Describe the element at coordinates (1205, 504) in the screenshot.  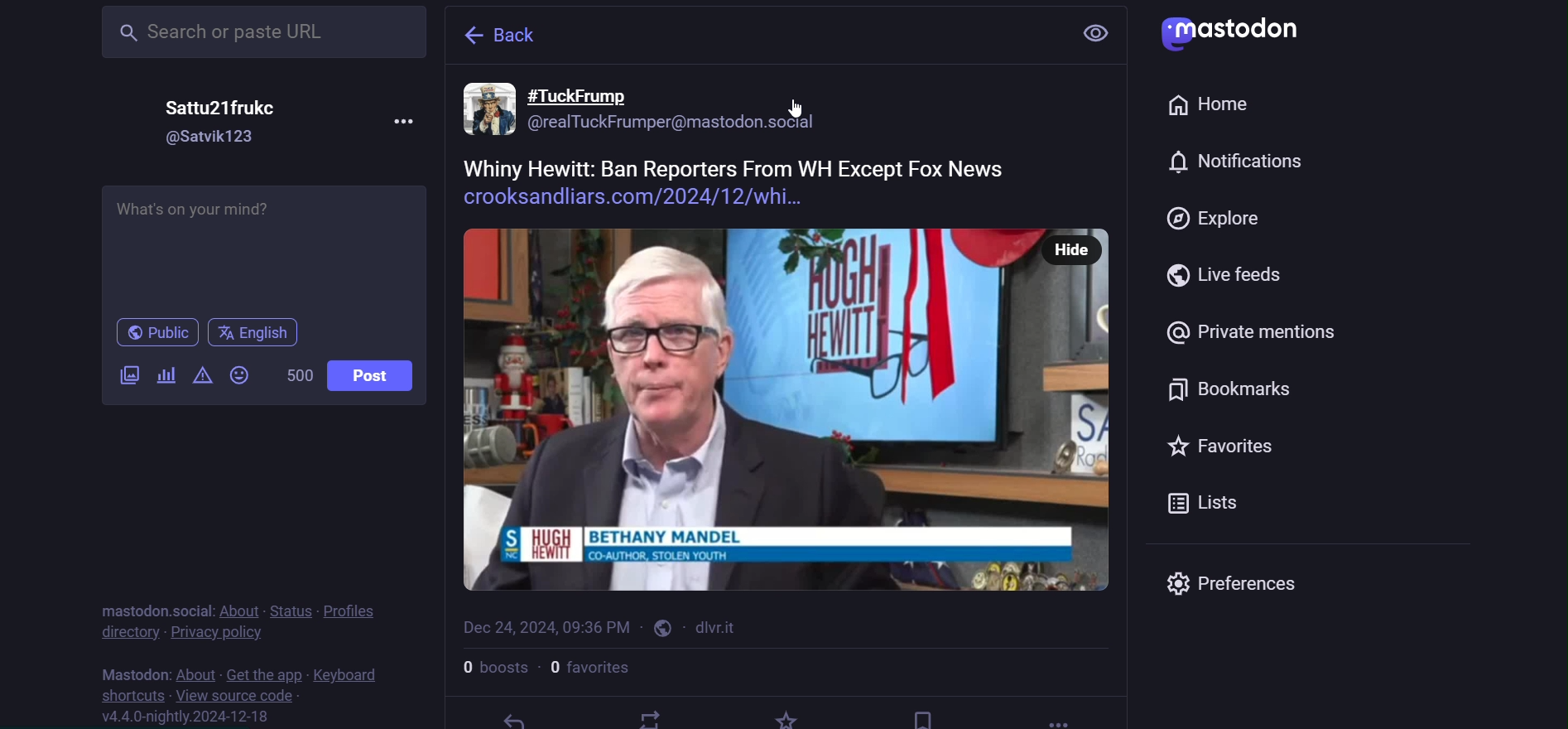
I see `list` at that location.